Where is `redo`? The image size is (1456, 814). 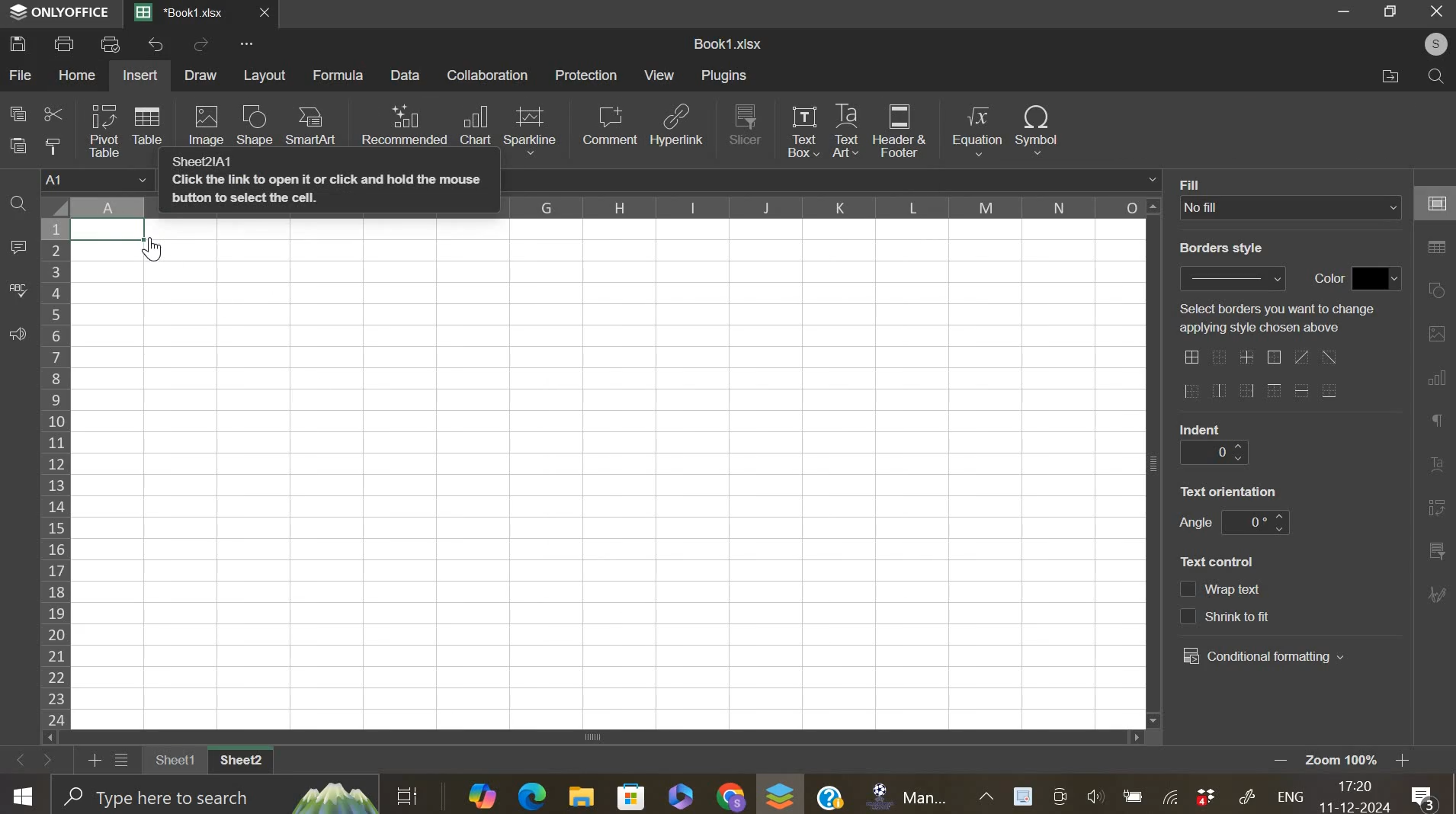
redo is located at coordinates (201, 46).